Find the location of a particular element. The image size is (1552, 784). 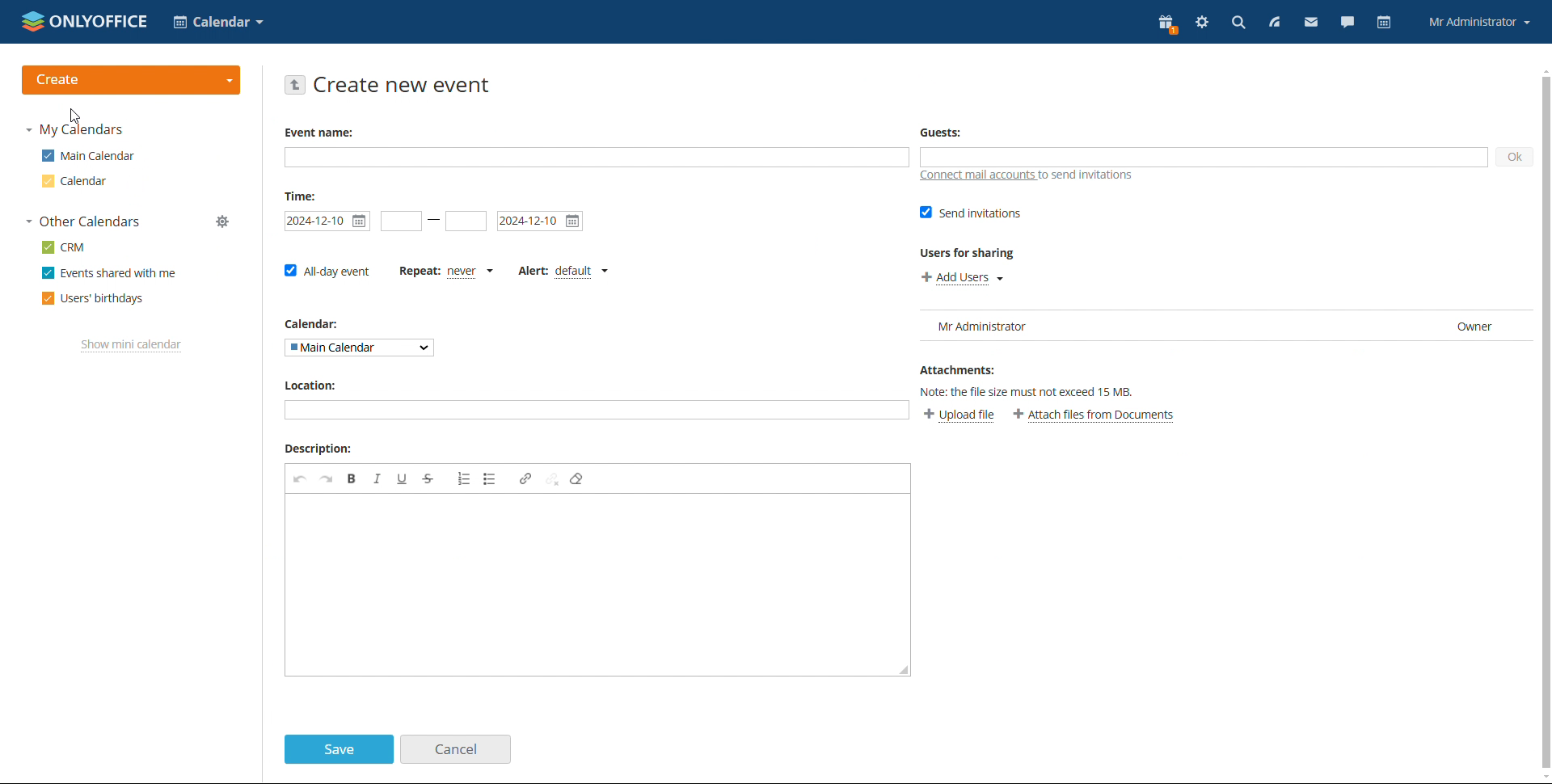

scrollbar is located at coordinates (1546, 422).